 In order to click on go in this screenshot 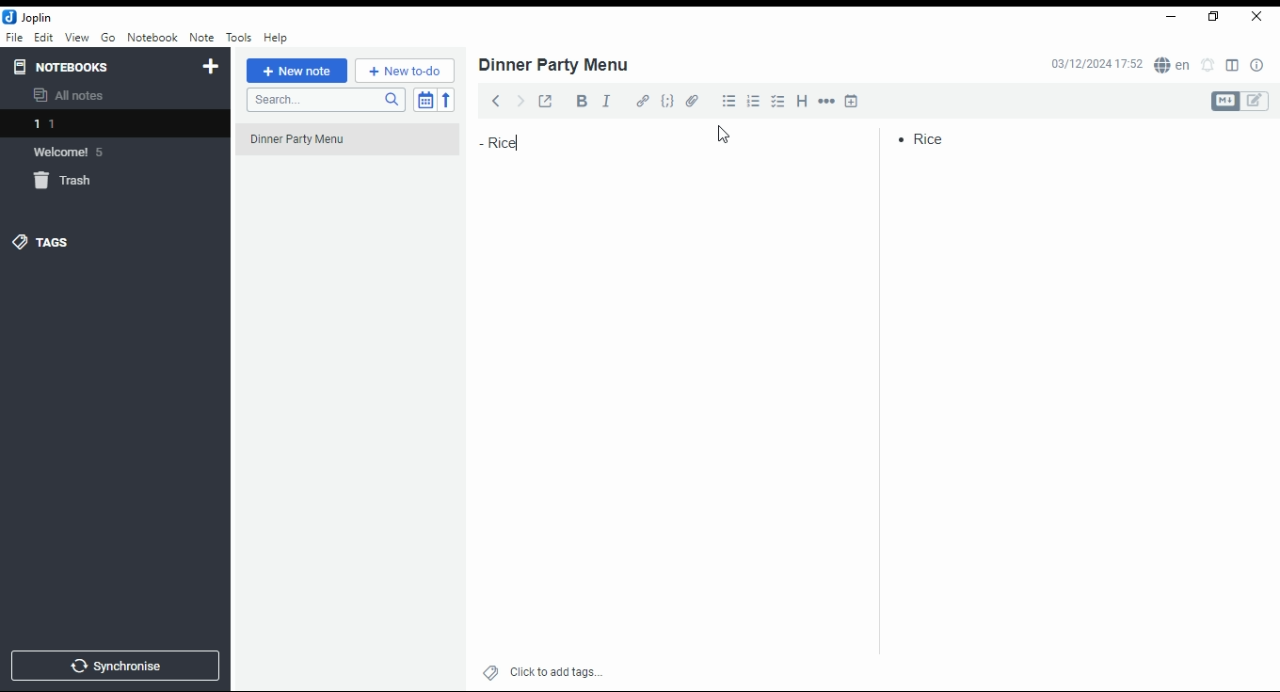, I will do `click(108, 38)`.